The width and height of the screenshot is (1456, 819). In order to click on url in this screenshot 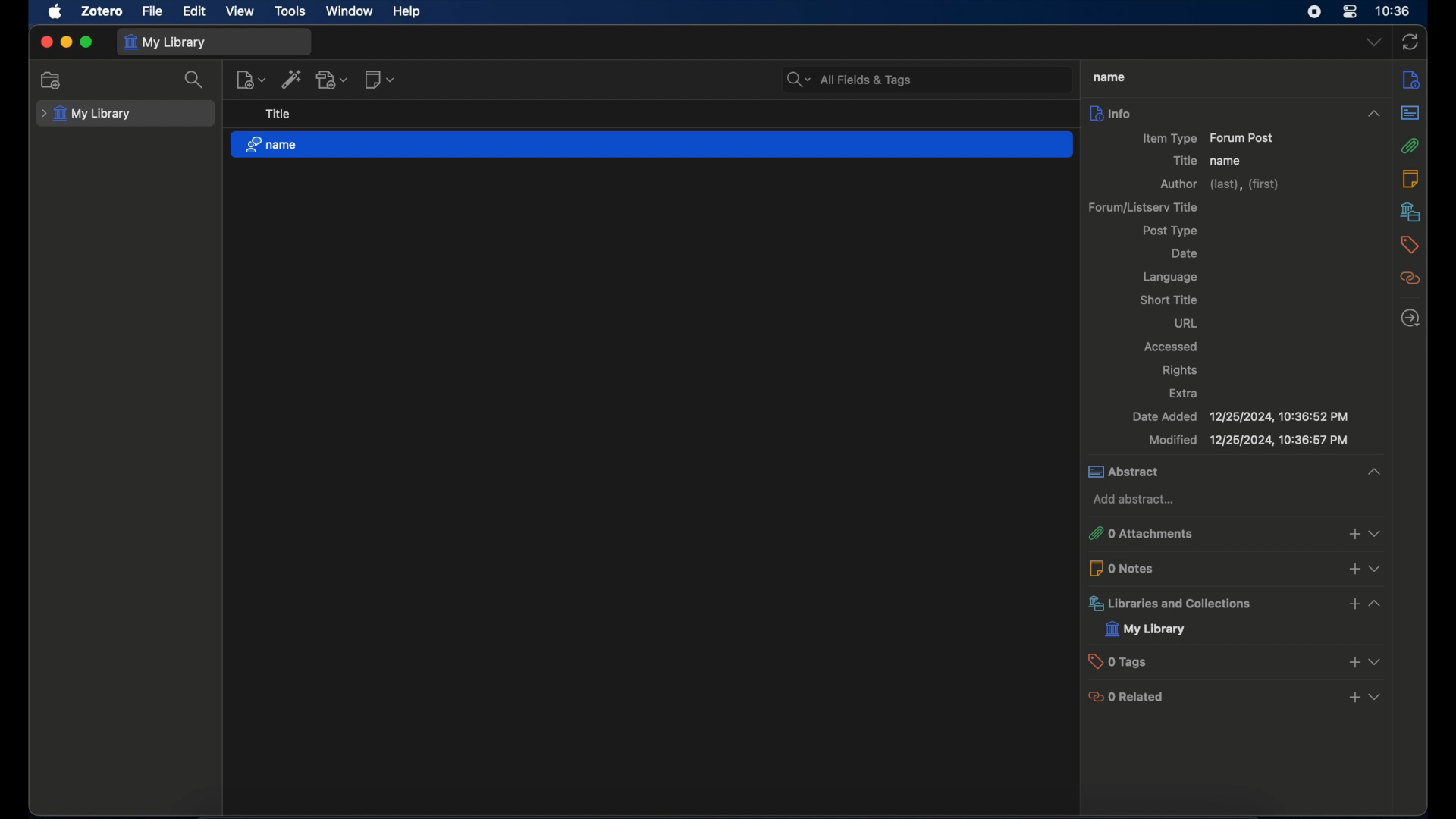, I will do `click(1186, 322)`.